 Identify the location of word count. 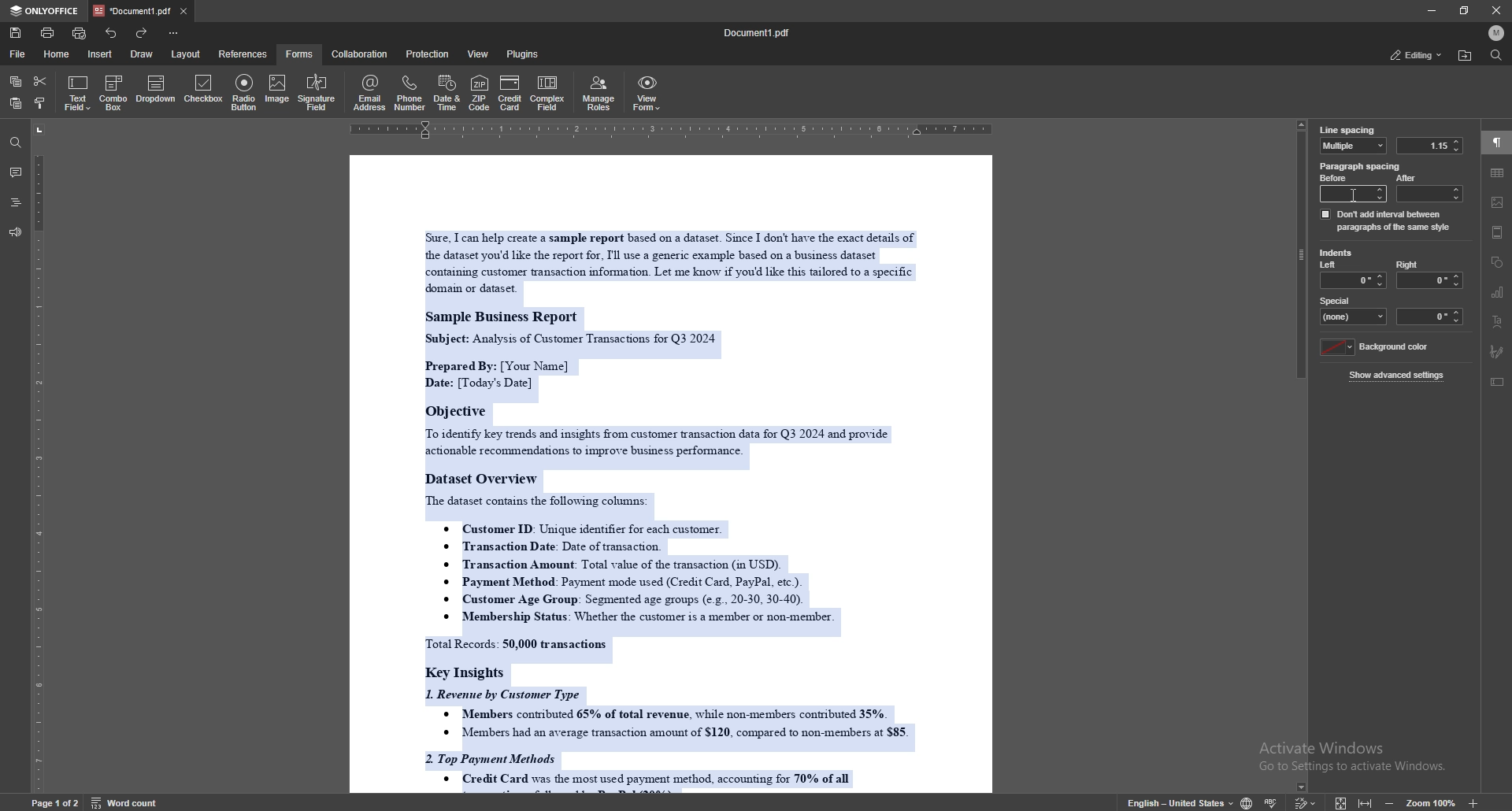
(123, 802).